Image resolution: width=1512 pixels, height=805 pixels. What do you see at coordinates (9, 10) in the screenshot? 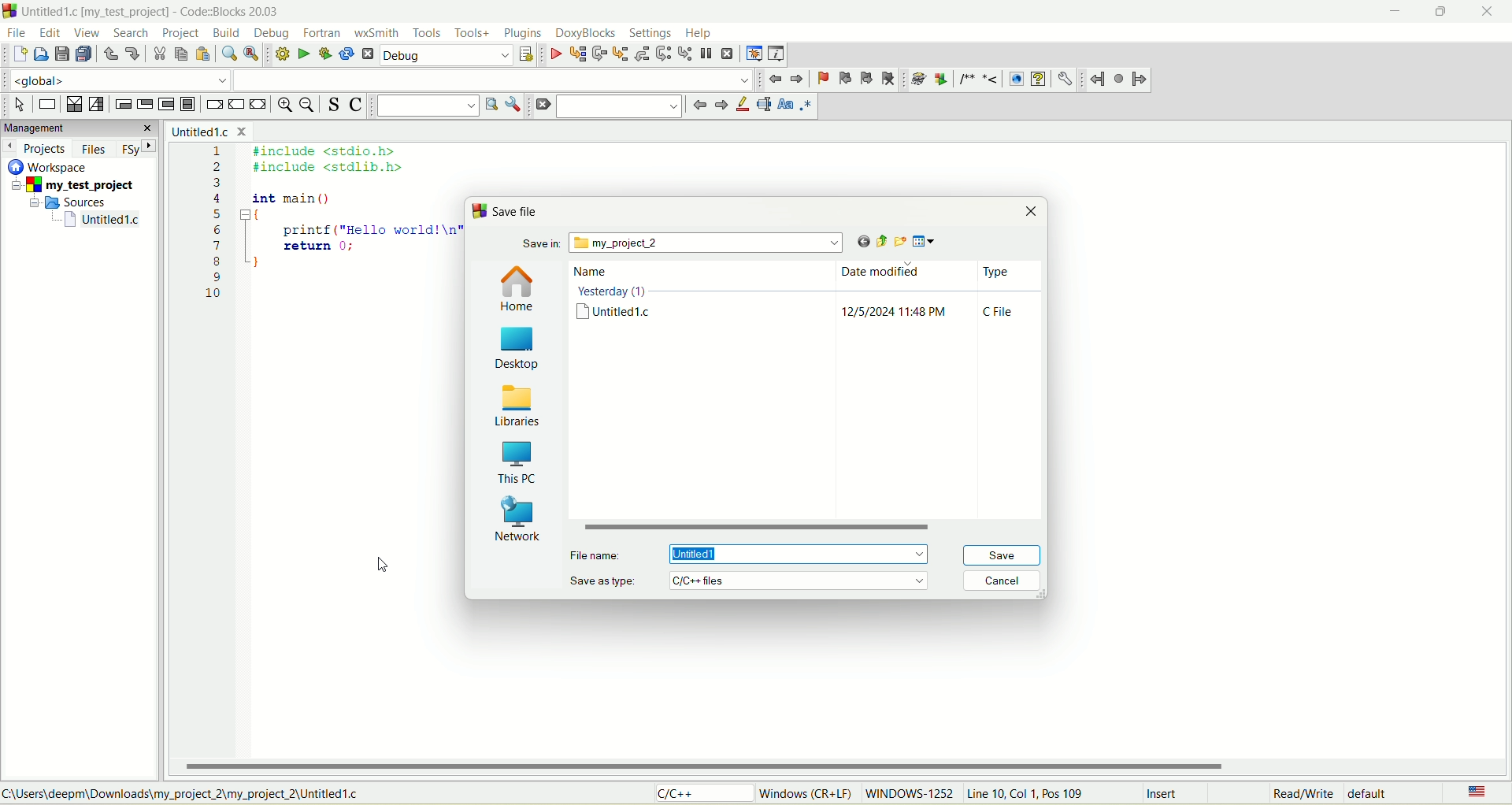
I see `logo` at bounding box center [9, 10].